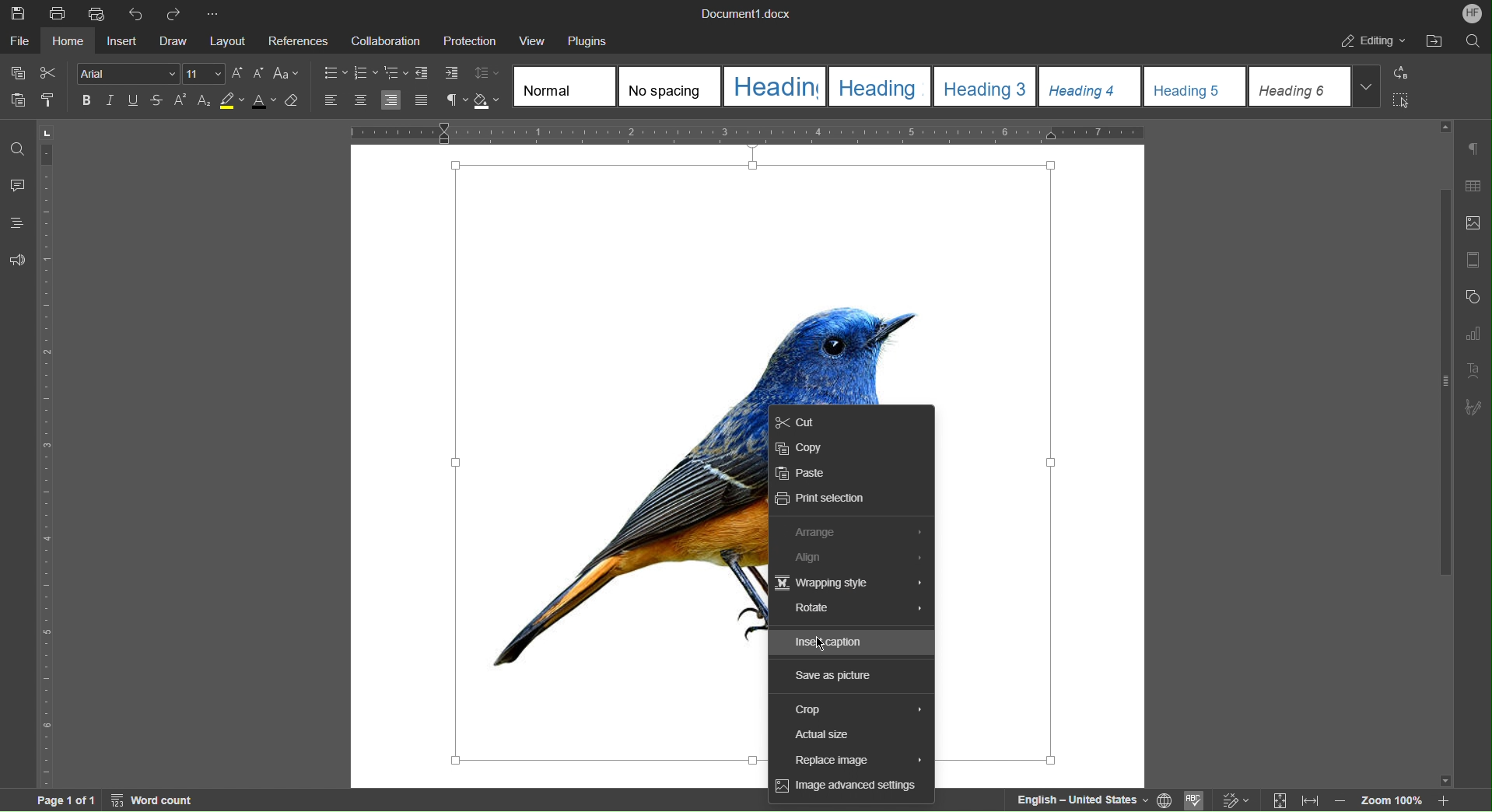  I want to click on Highlight, so click(232, 102).